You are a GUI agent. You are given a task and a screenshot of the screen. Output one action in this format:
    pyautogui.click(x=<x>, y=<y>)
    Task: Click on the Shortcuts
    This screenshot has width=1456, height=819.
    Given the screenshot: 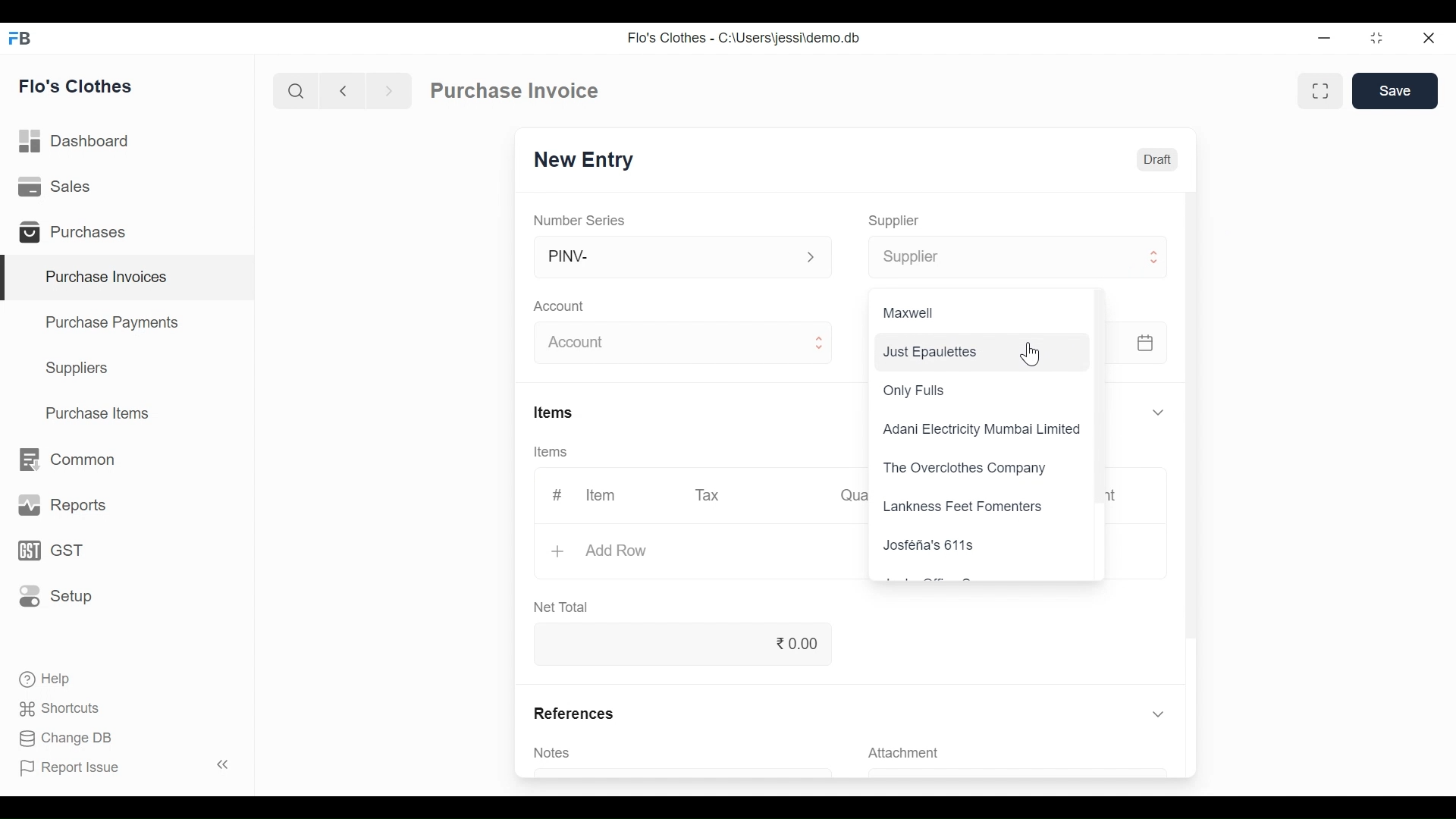 What is the action you would take?
    pyautogui.click(x=60, y=710)
    